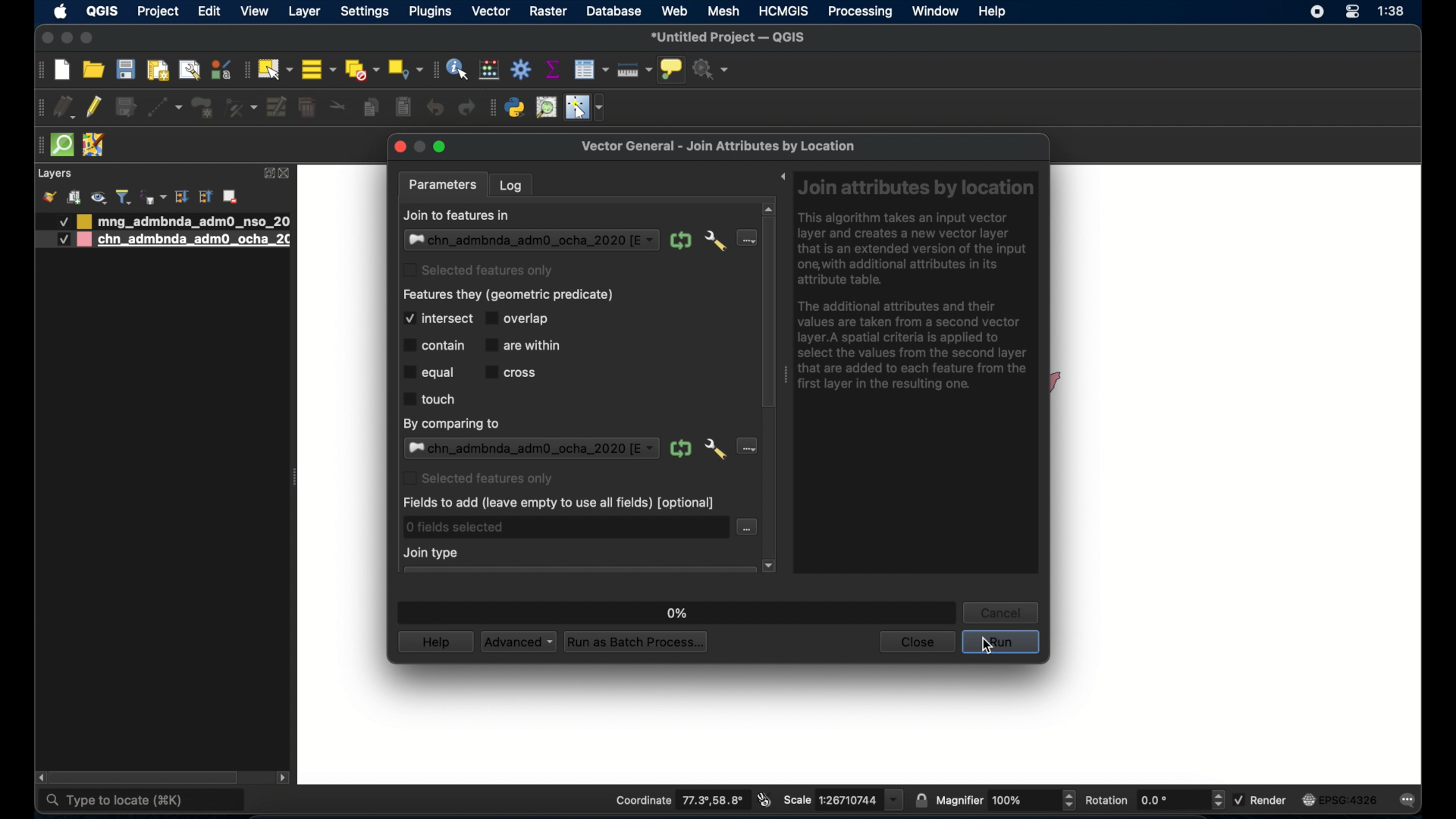 The width and height of the screenshot is (1456, 819). What do you see at coordinates (398, 149) in the screenshot?
I see `close` at bounding box center [398, 149].